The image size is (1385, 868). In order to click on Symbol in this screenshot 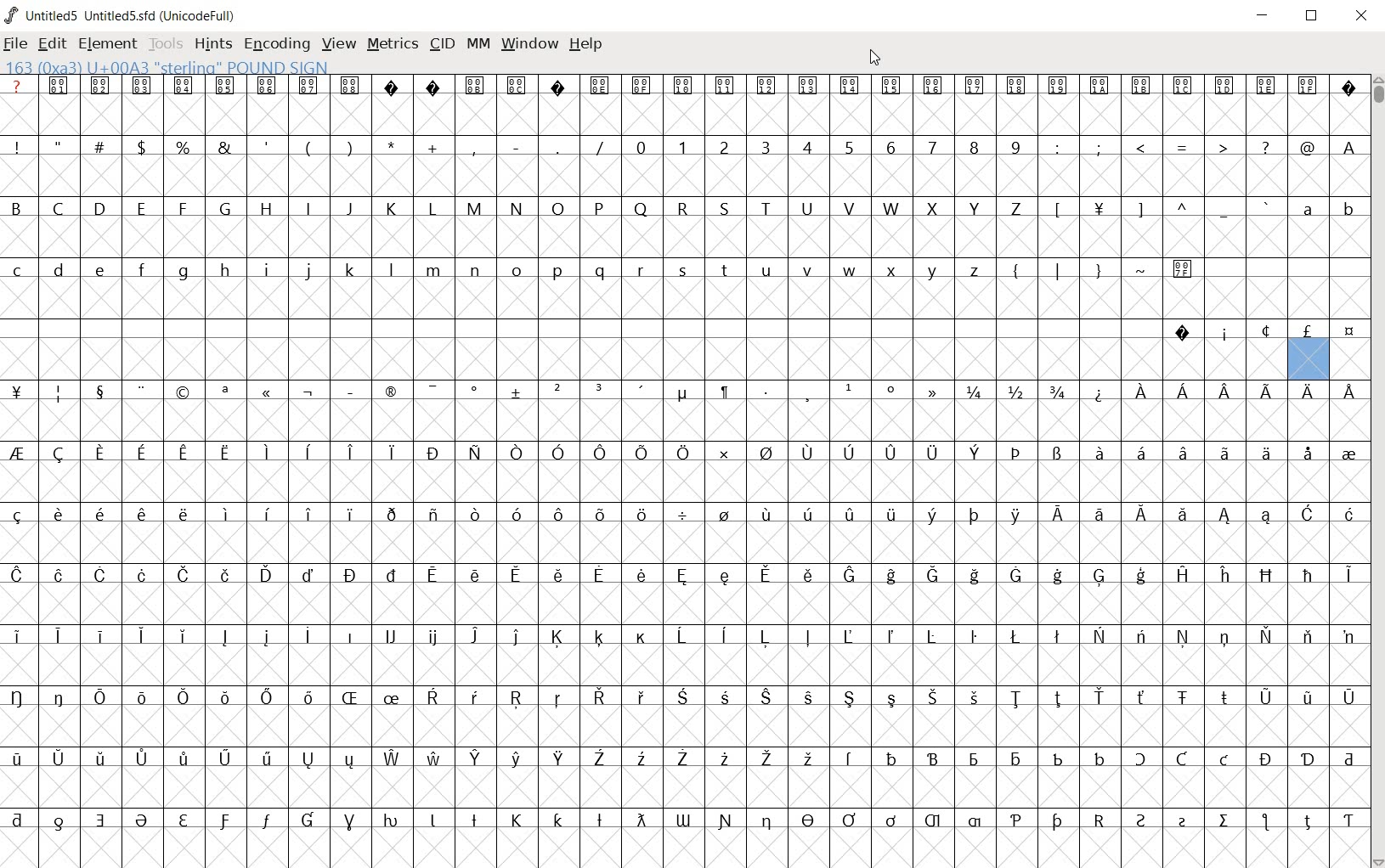, I will do `click(766, 822)`.